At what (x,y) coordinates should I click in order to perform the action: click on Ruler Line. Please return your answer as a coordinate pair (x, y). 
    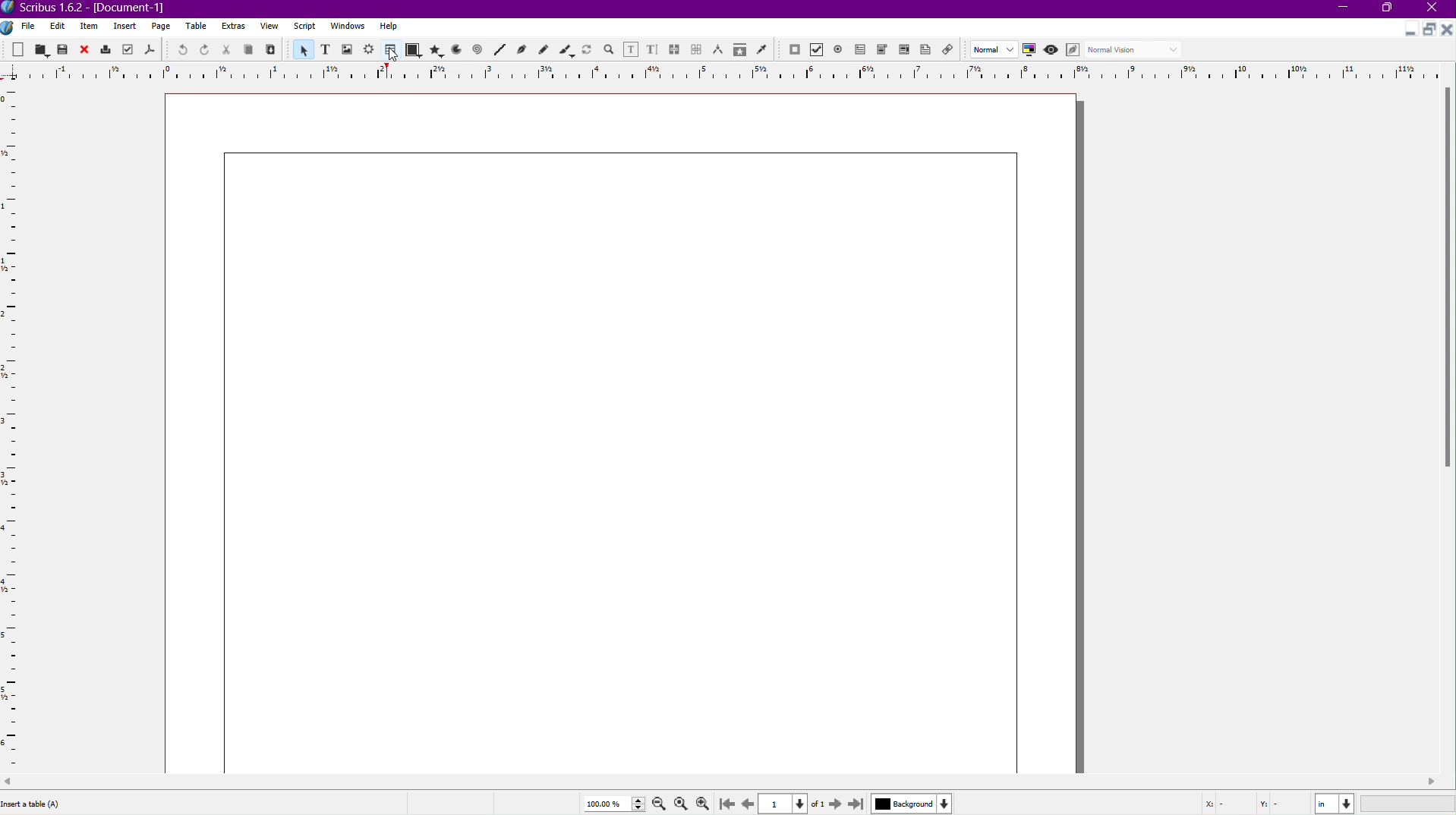
    Looking at the image, I should click on (728, 71).